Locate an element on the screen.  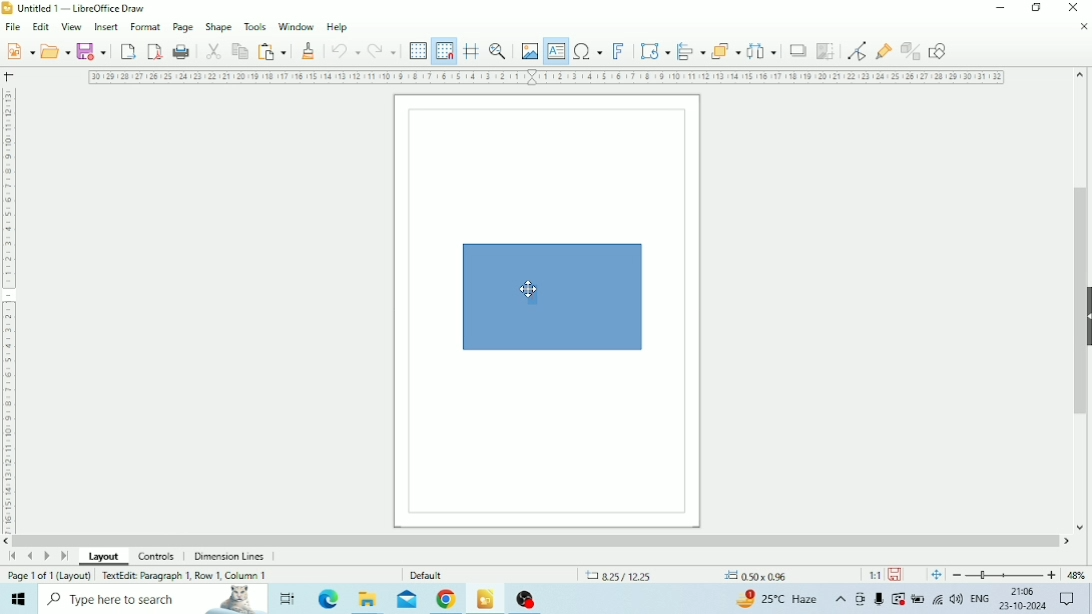
Insert Image is located at coordinates (529, 52).